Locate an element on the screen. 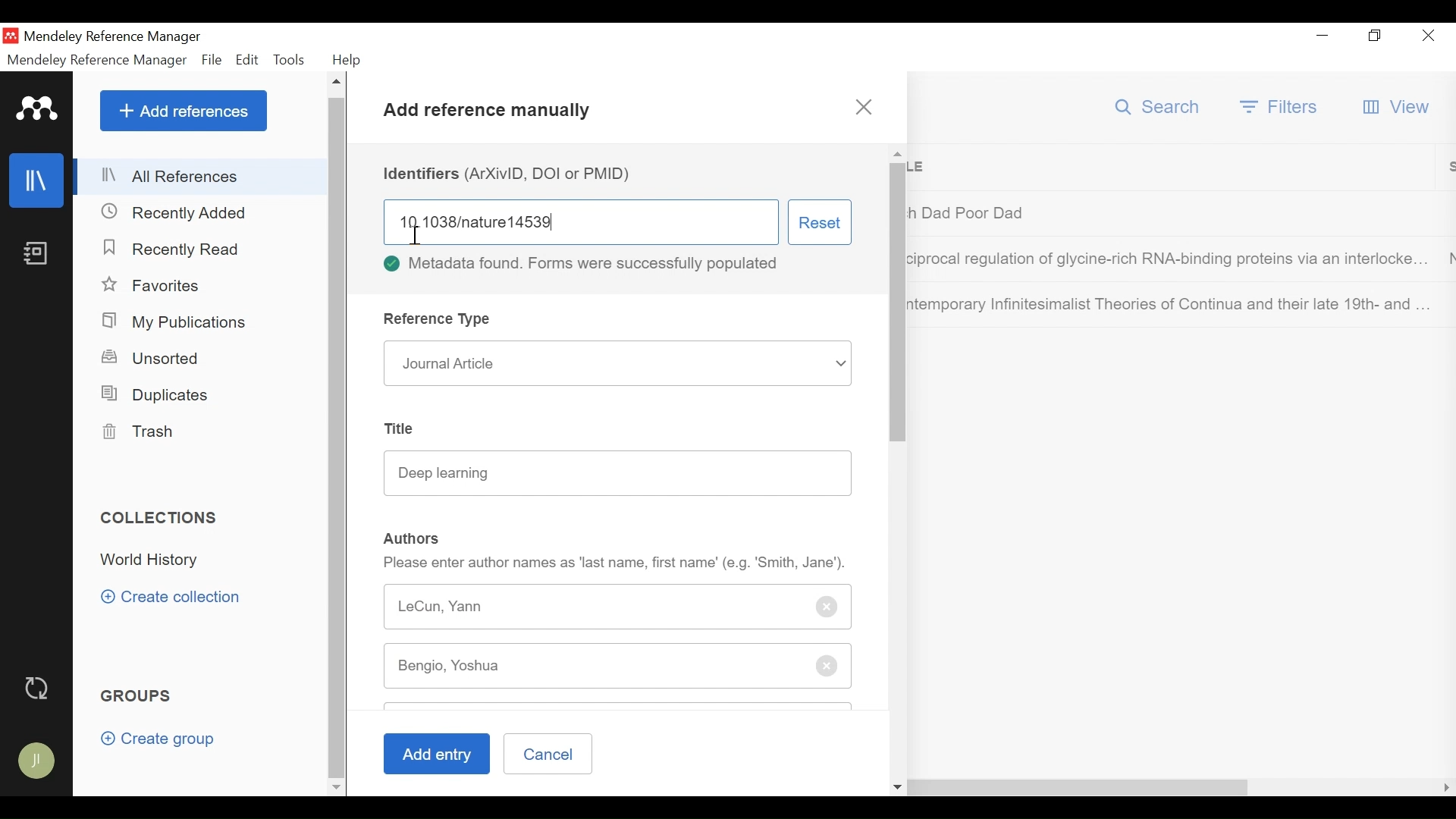 This screenshot has width=1456, height=819. Trash is located at coordinates (144, 431).